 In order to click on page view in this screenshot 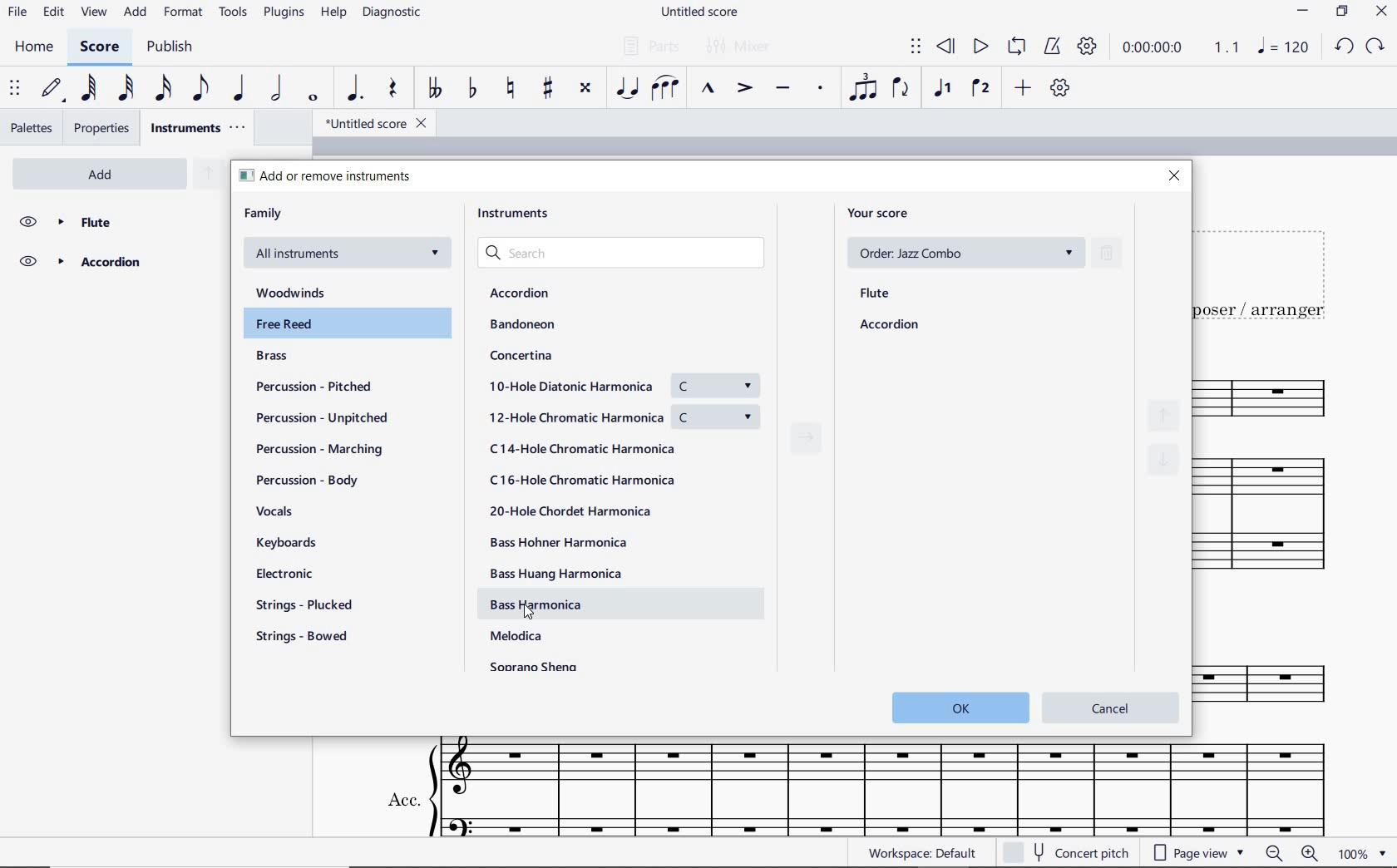, I will do `click(1199, 854)`.